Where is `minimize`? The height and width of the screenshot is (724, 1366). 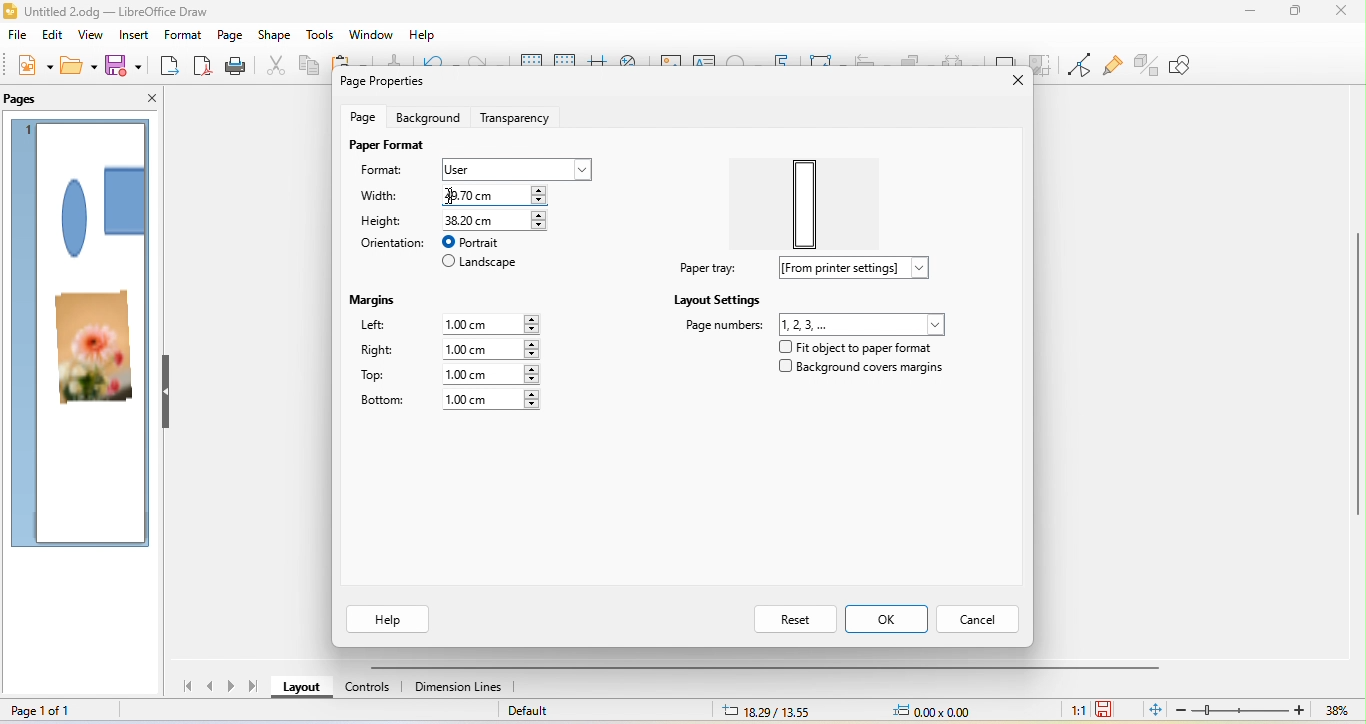
minimize is located at coordinates (1245, 15).